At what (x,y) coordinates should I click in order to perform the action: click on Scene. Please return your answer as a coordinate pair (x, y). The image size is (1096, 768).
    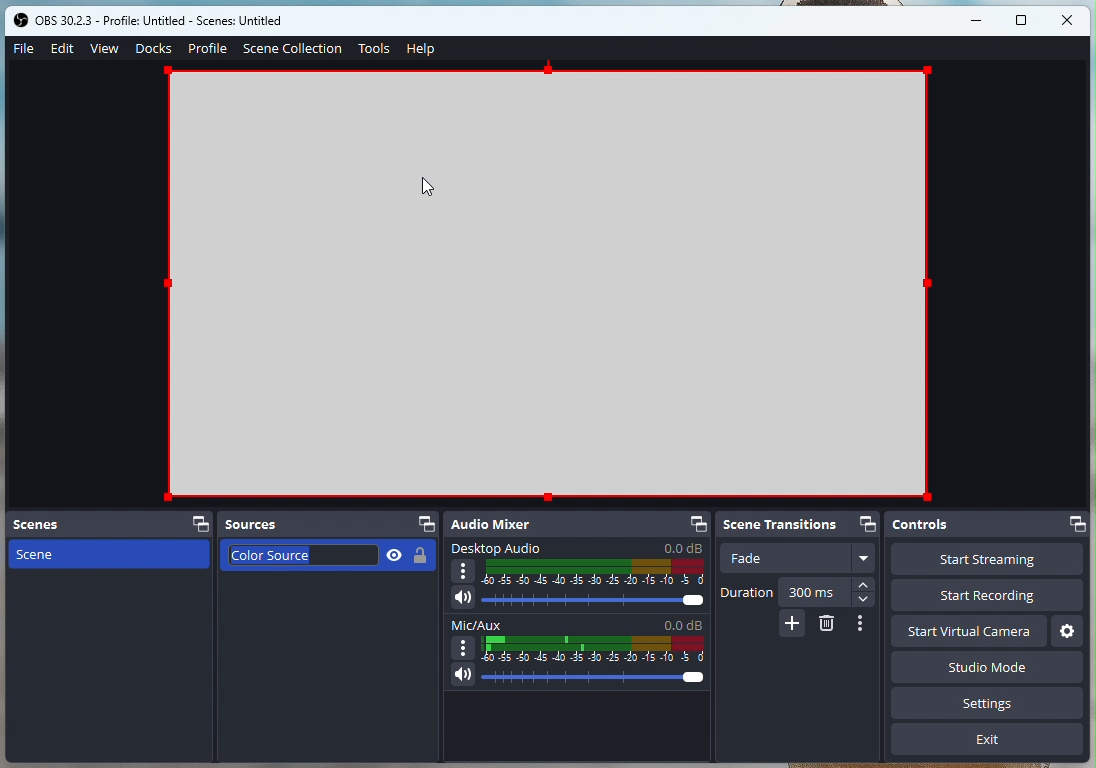
    Looking at the image, I should click on (105, 554).